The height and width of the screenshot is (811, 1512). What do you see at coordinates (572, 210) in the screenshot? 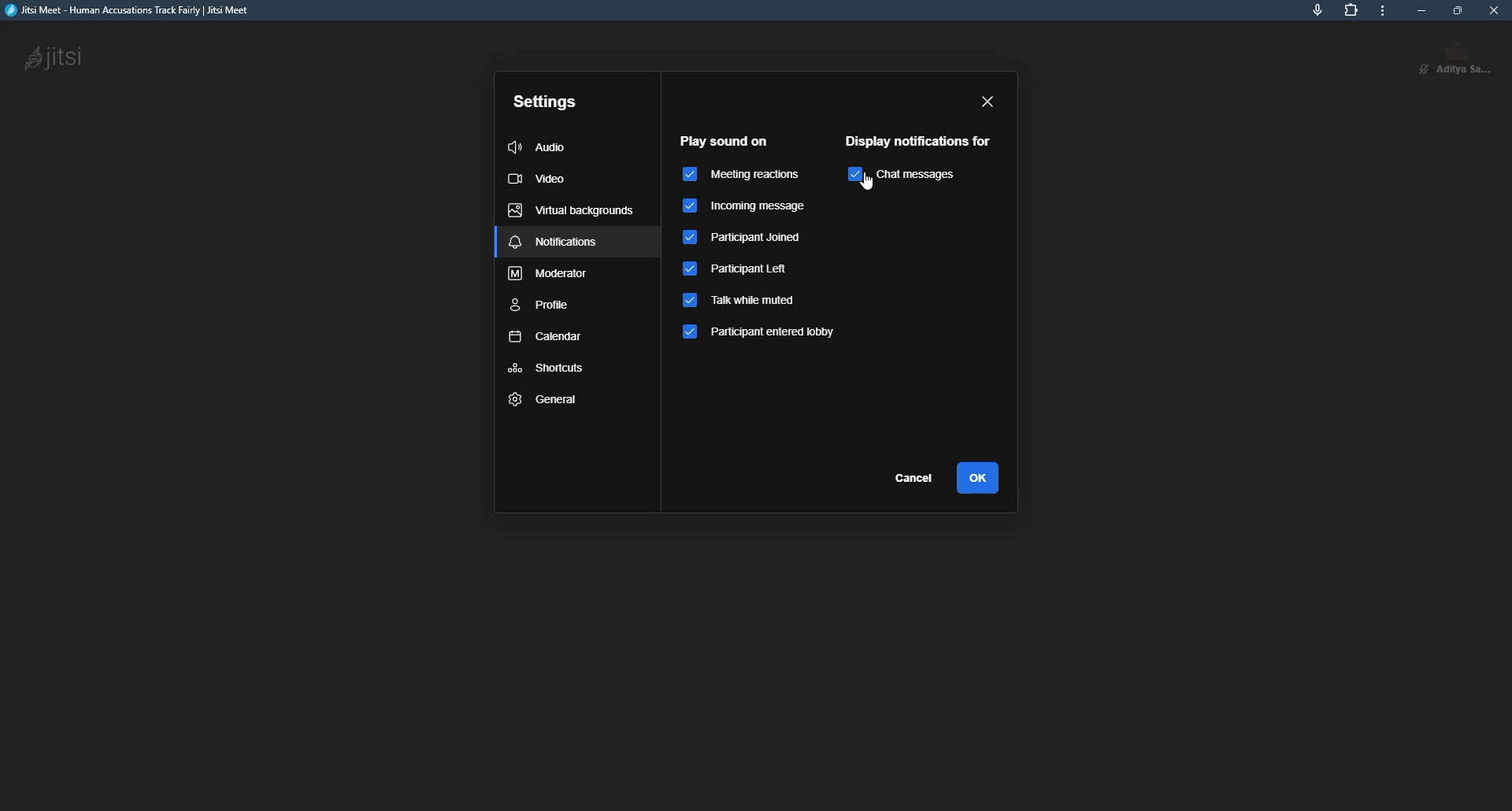
I see `virtual backgrounds` at bounding box center [572, 210].